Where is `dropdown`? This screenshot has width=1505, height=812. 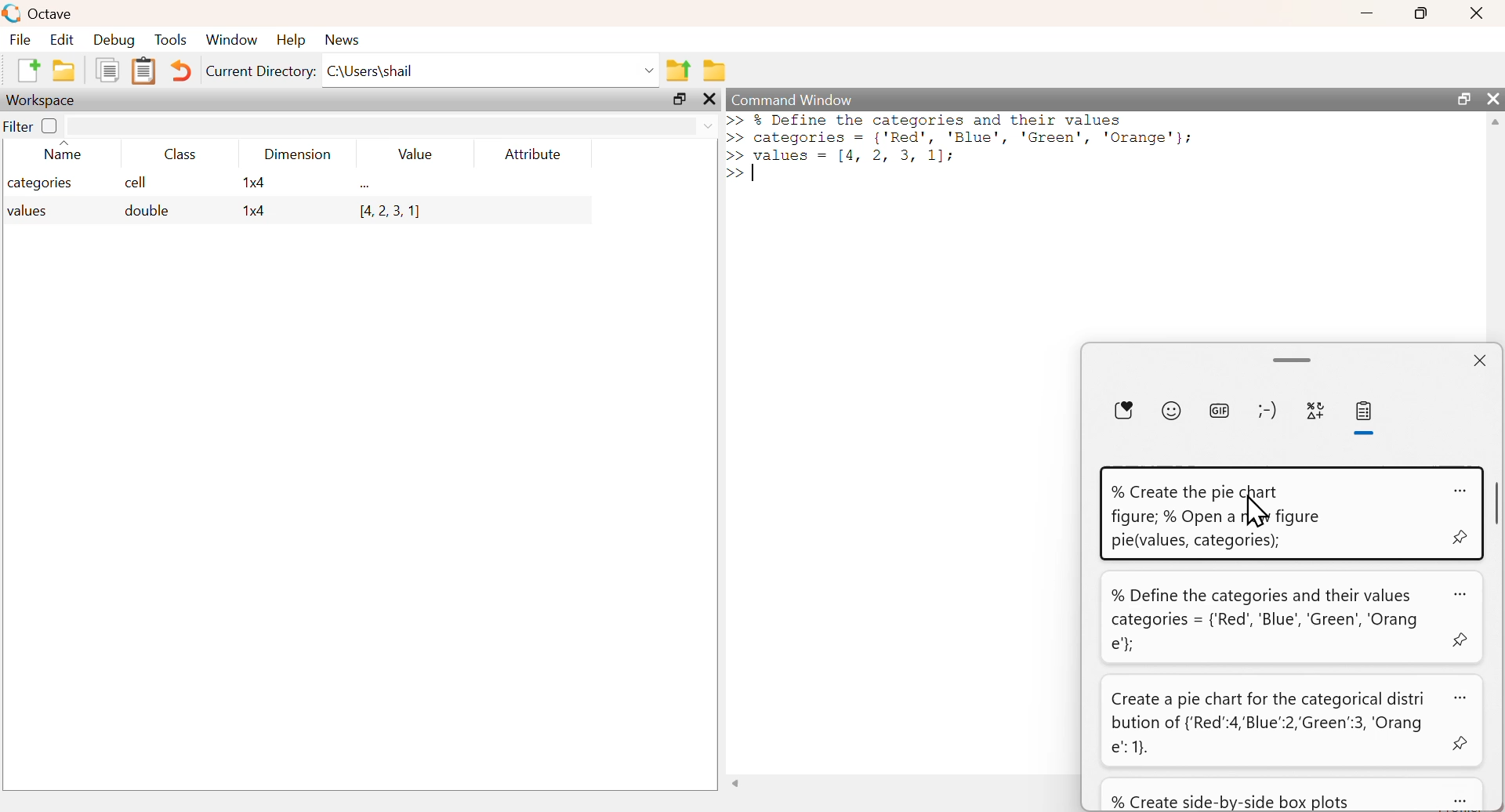 dropdown is located at coordinates (648, 71).